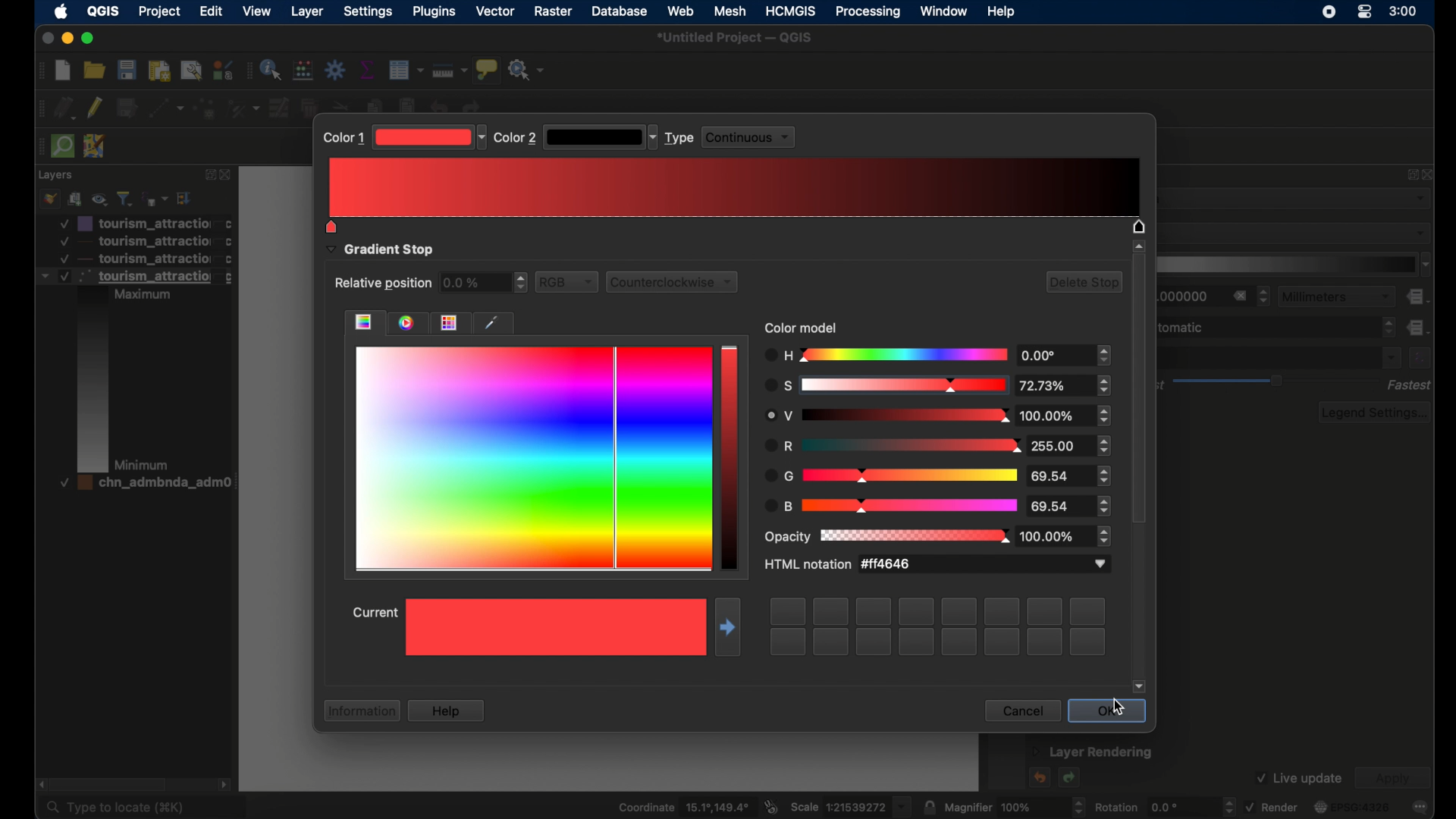 The width and height of the screenshot is (1456, 819). Describe the element at coordinates (783, 535) in the screenshot. I see `opacity` at that location.